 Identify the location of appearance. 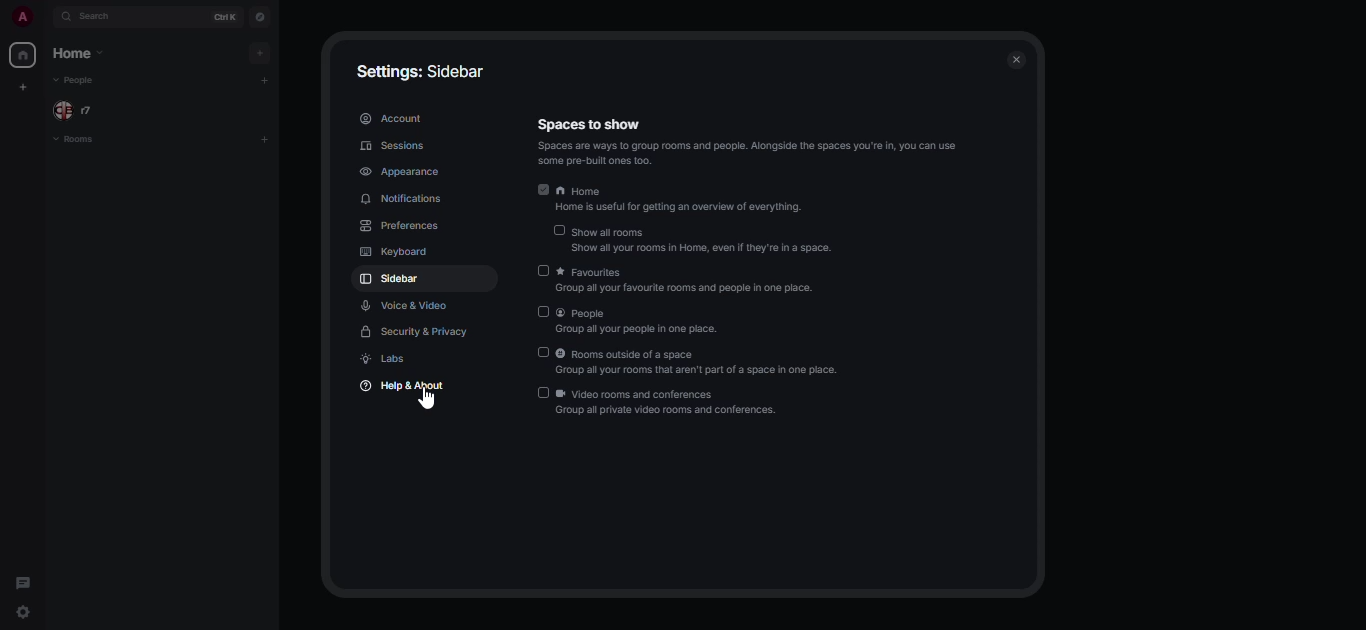
(402, 171).